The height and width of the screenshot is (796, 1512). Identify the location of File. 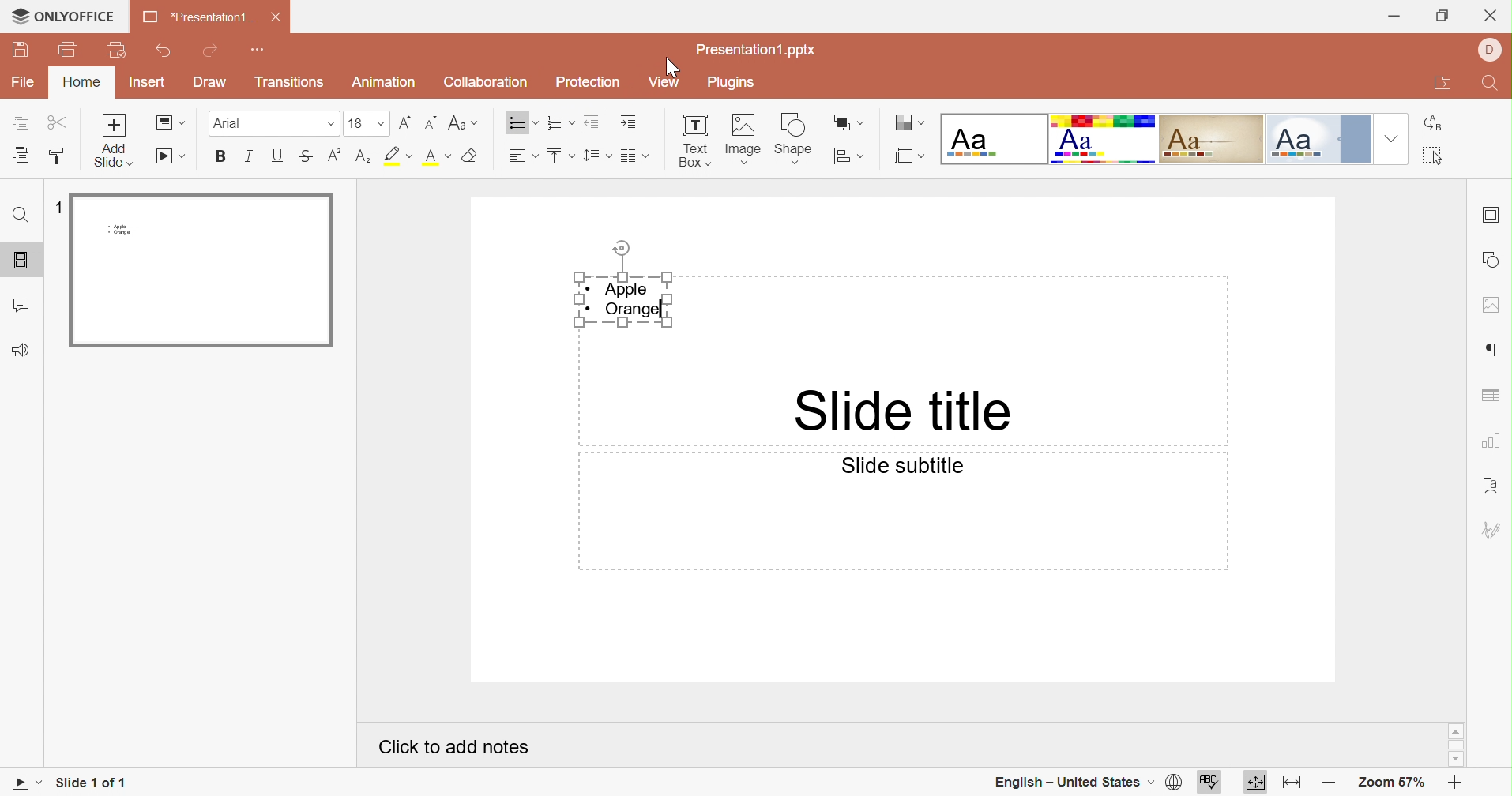
(25, 84).